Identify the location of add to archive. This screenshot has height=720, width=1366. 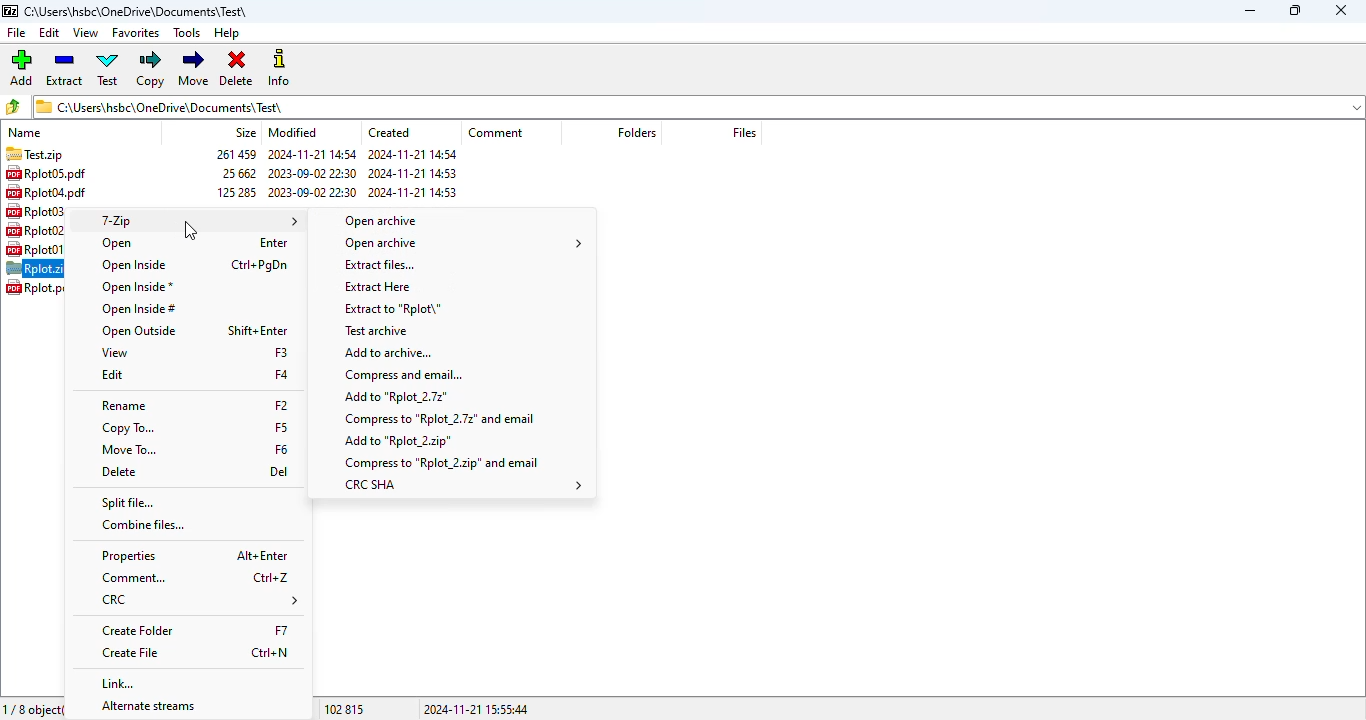
(388, 353).